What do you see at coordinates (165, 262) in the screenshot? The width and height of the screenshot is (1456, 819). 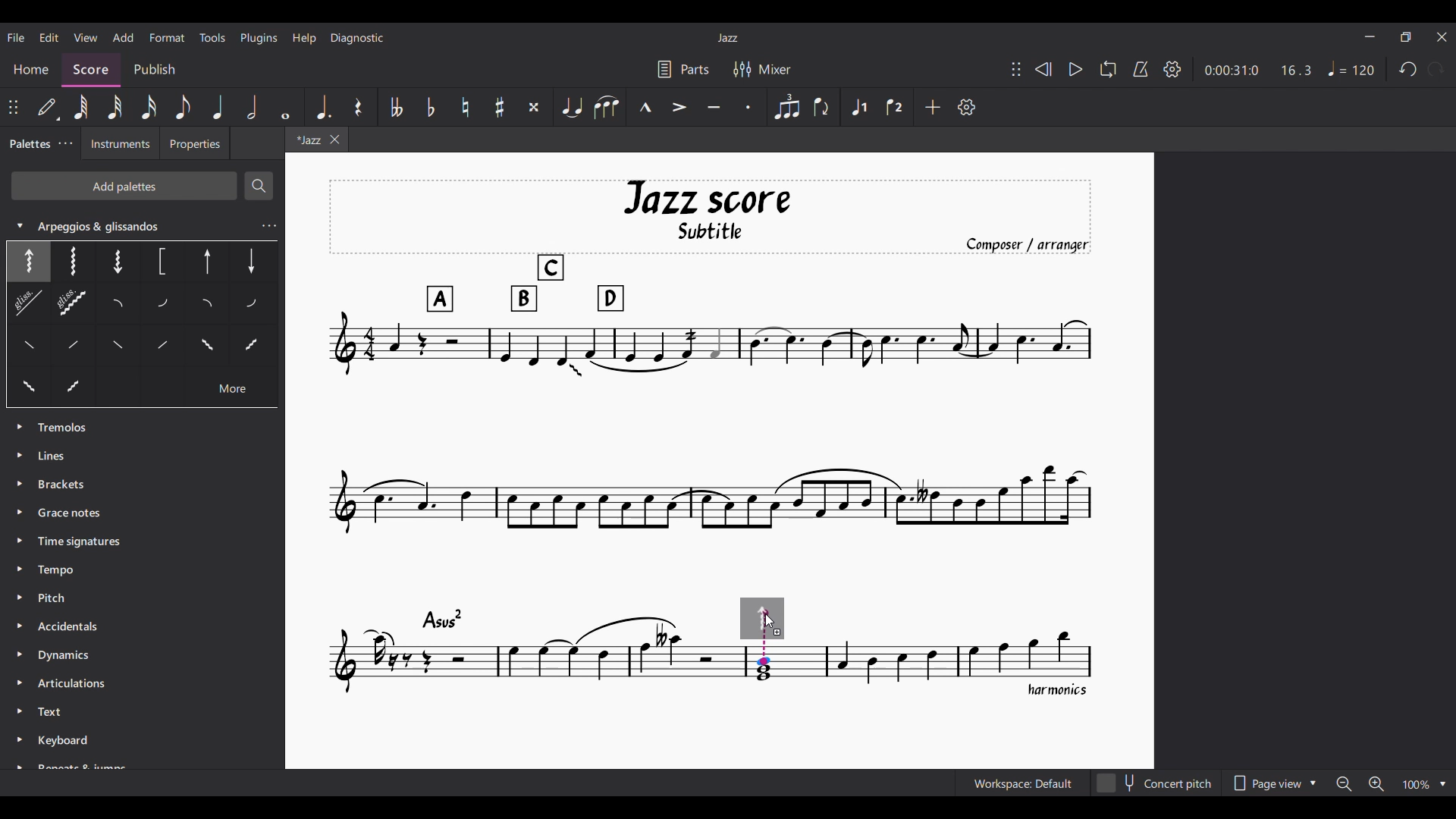 I see `` at bounding box center [165, 262].